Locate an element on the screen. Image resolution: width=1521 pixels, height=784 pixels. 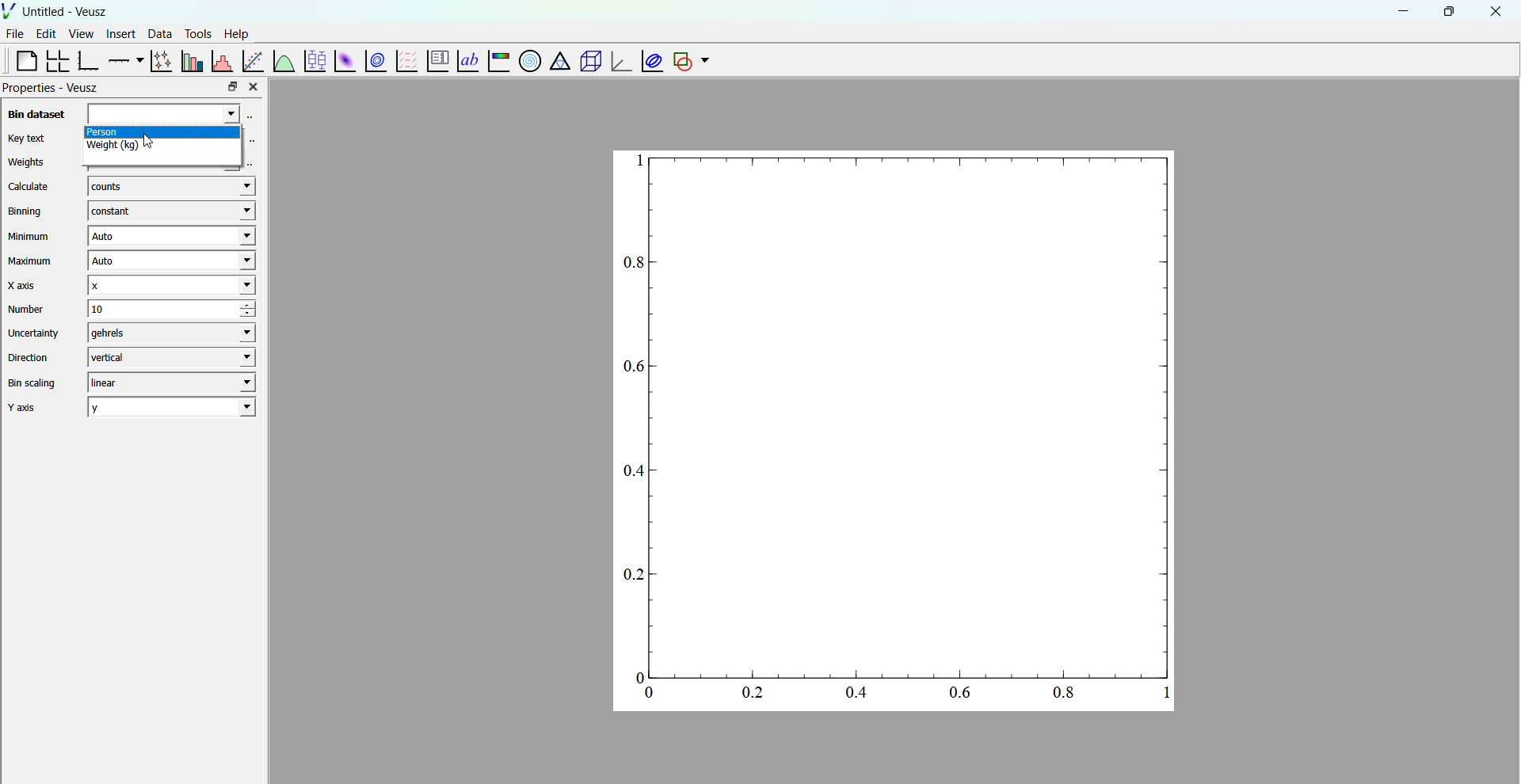
increase number is located at coordinates (259, 305).